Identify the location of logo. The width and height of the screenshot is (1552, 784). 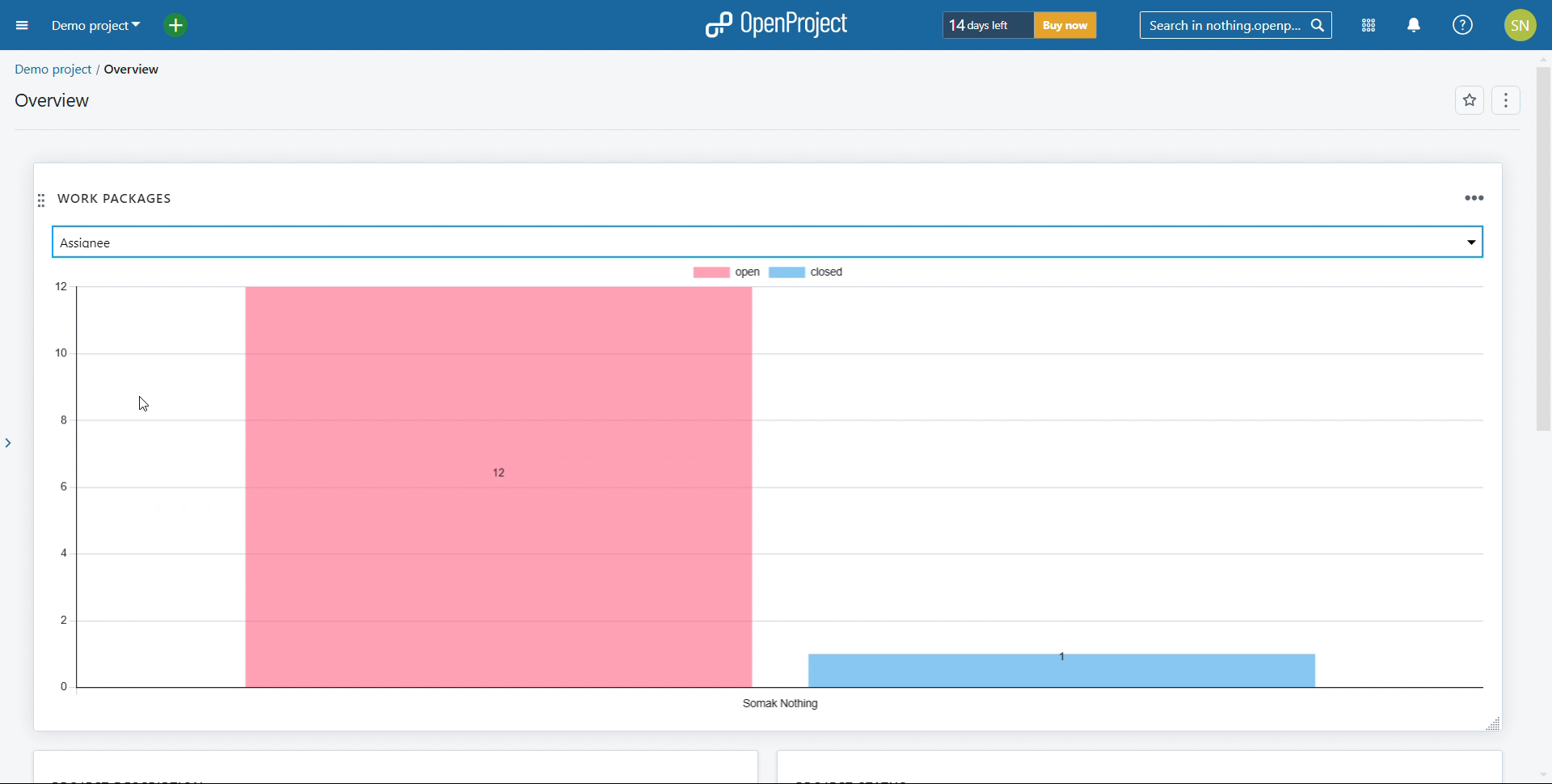
(776, 24).